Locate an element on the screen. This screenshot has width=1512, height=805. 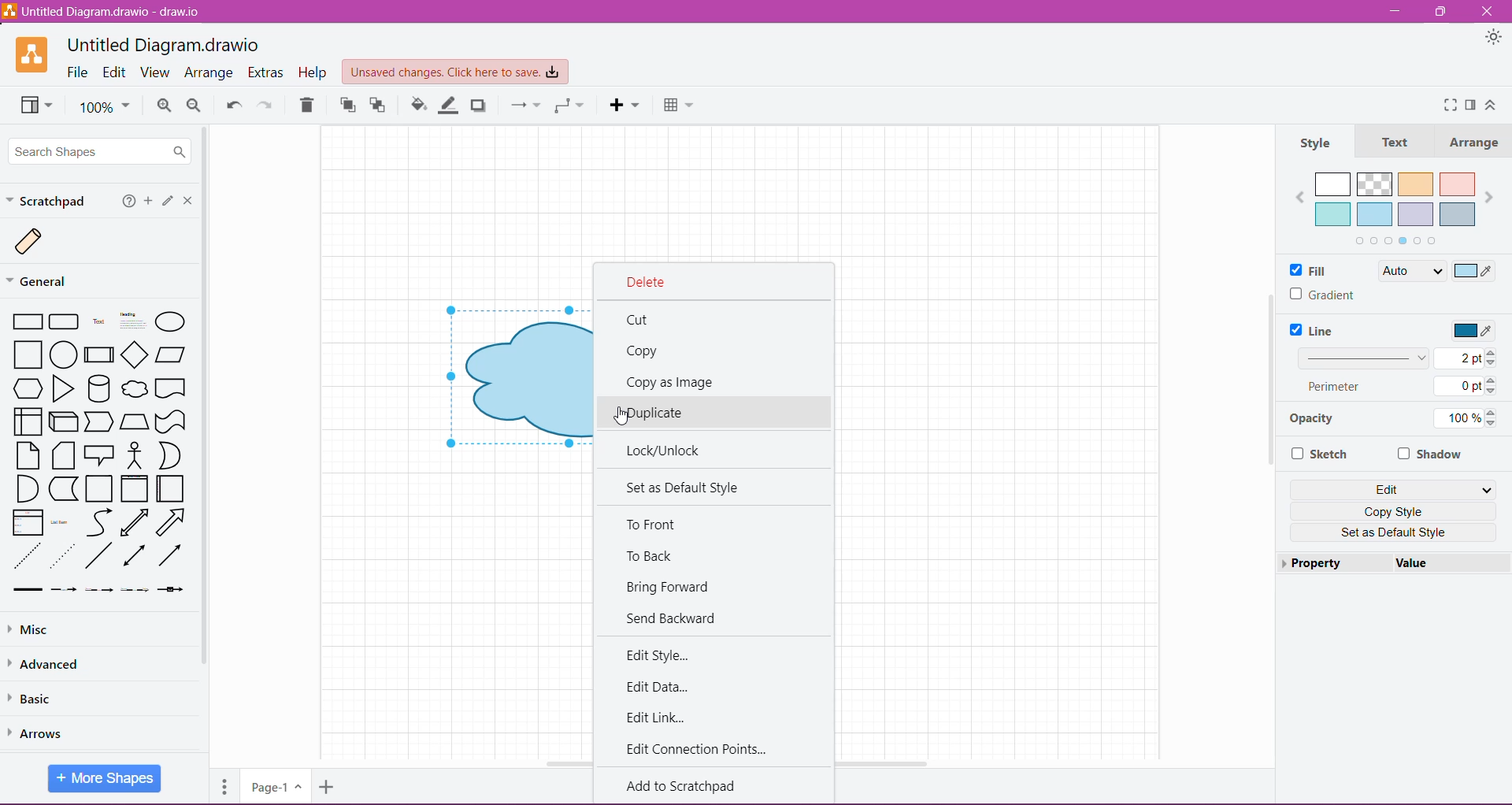
Untitled Diagram.draw.io is located at coordinates (164, 43).